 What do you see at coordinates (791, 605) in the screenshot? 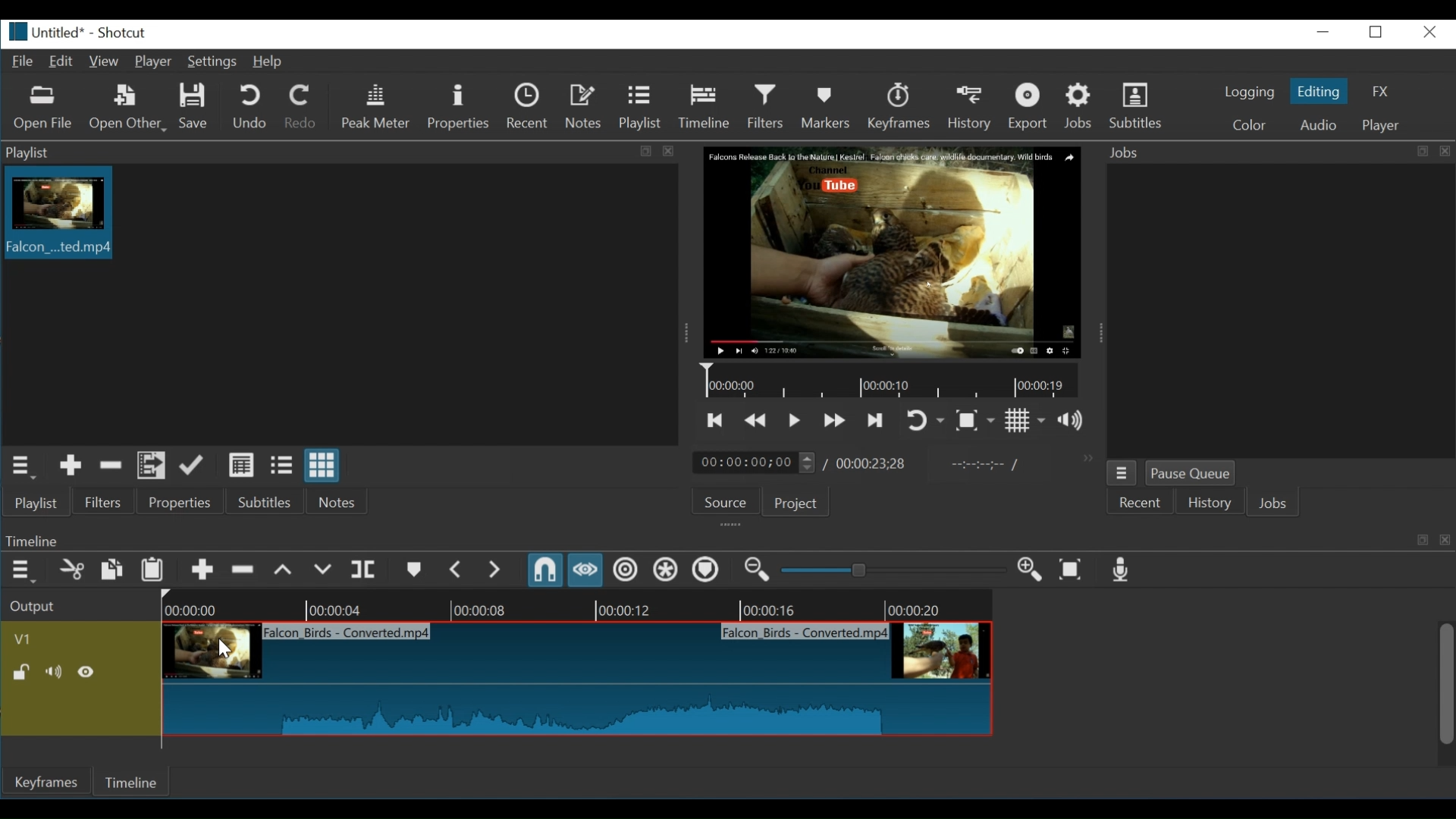
I see `Timeline` at bounding box center [791, 605].